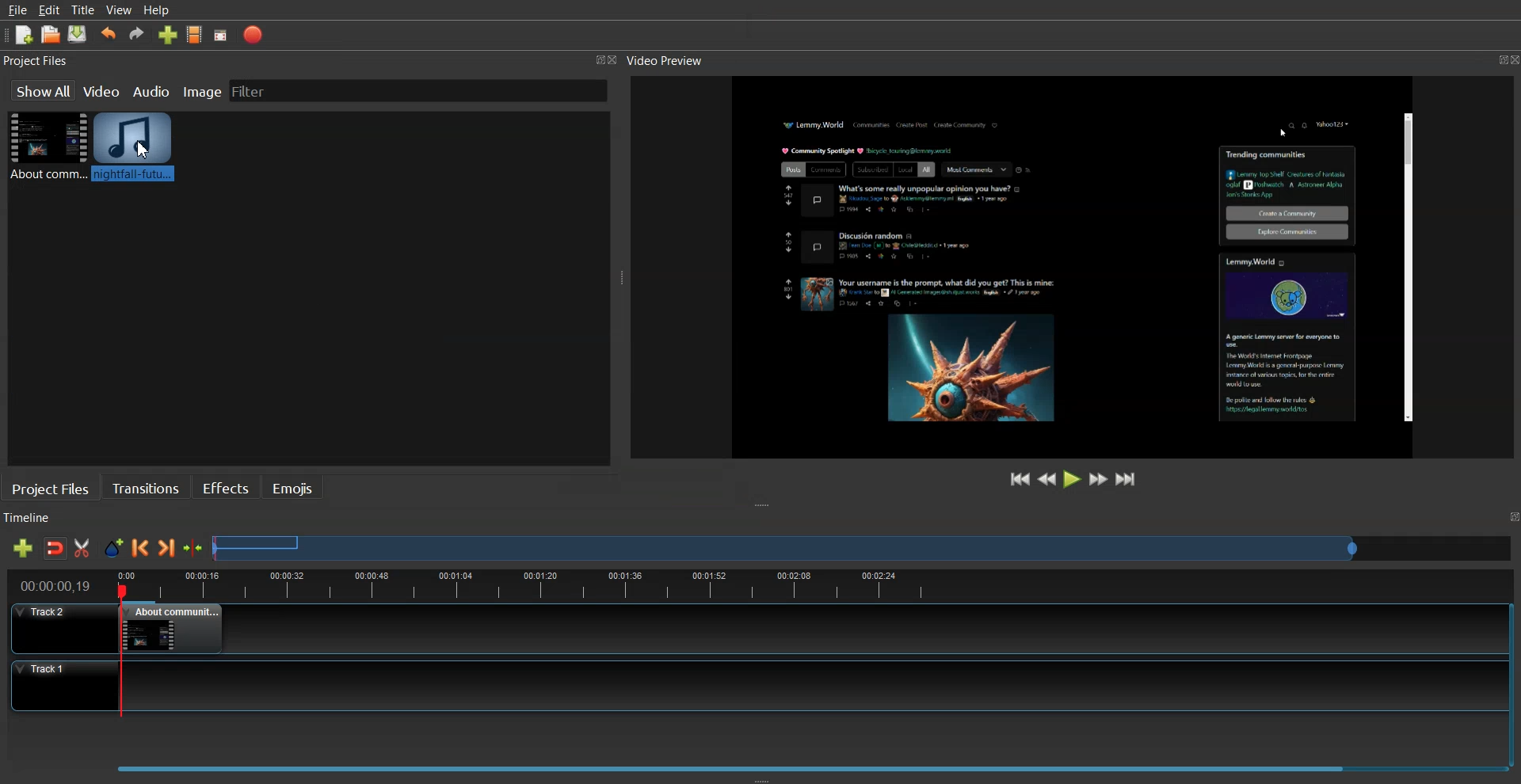 This screenshot has height=784, width=1521. What do you see at coordinates (764, 506) in the screenshot?
I see `Window Adjuster` at bounding box center [764, 506].